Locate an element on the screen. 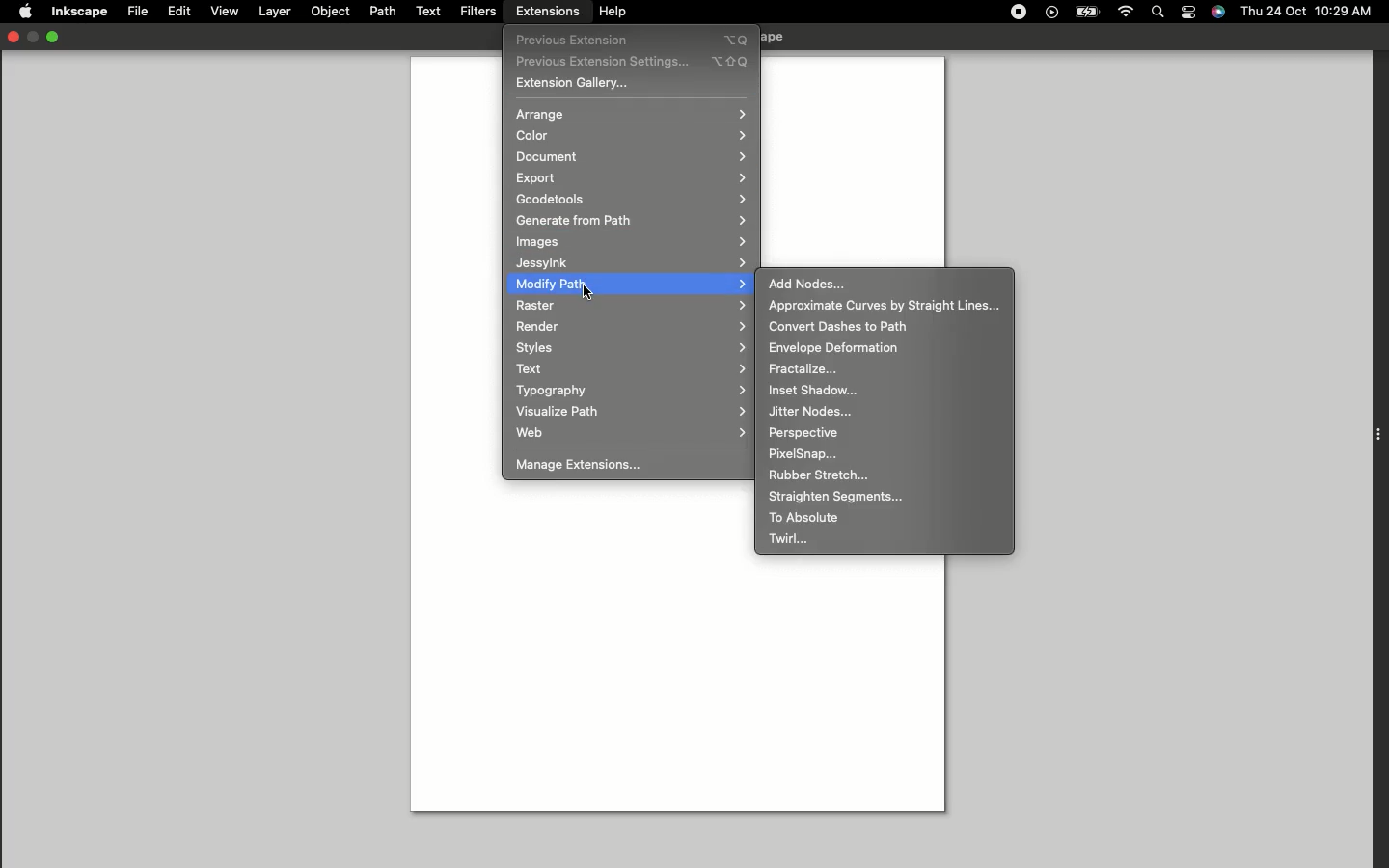 This screenshot has width=1389, height=868. Add nodes is located at coordinates (807, 283).